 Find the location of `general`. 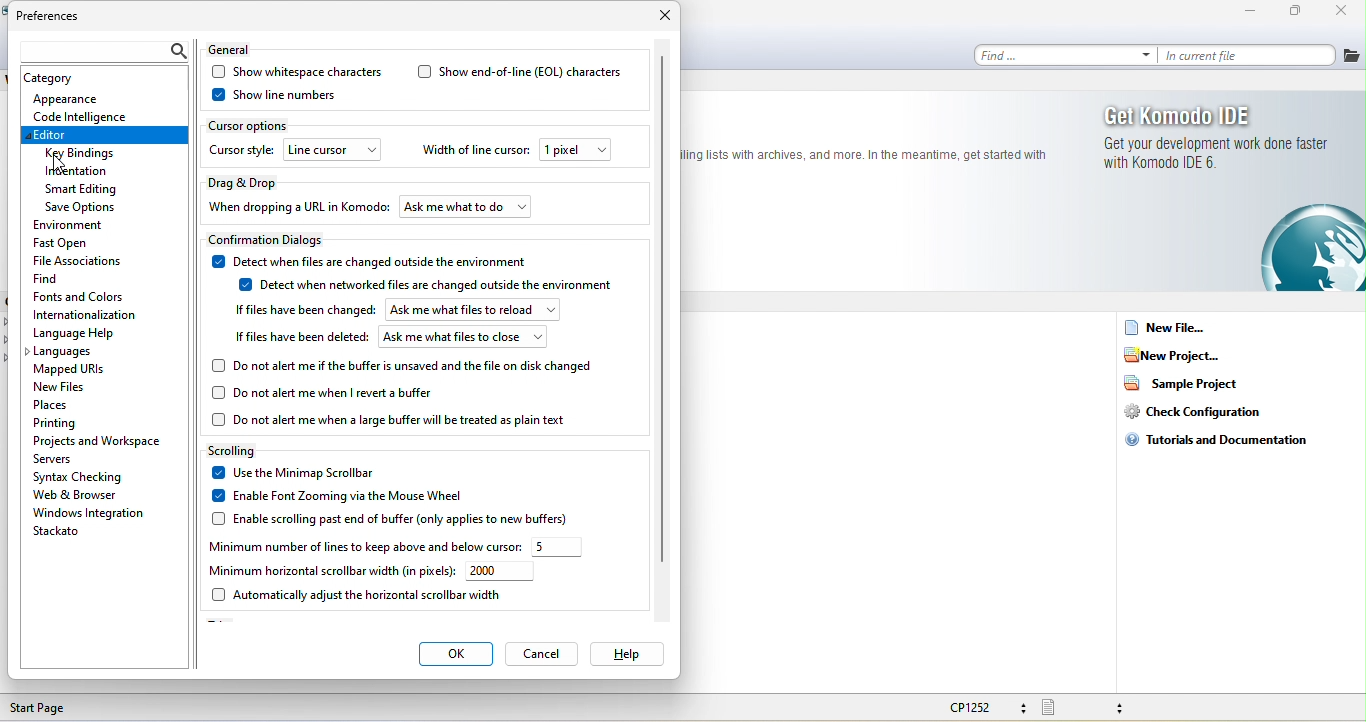

general is located at coordinates (237, 47).